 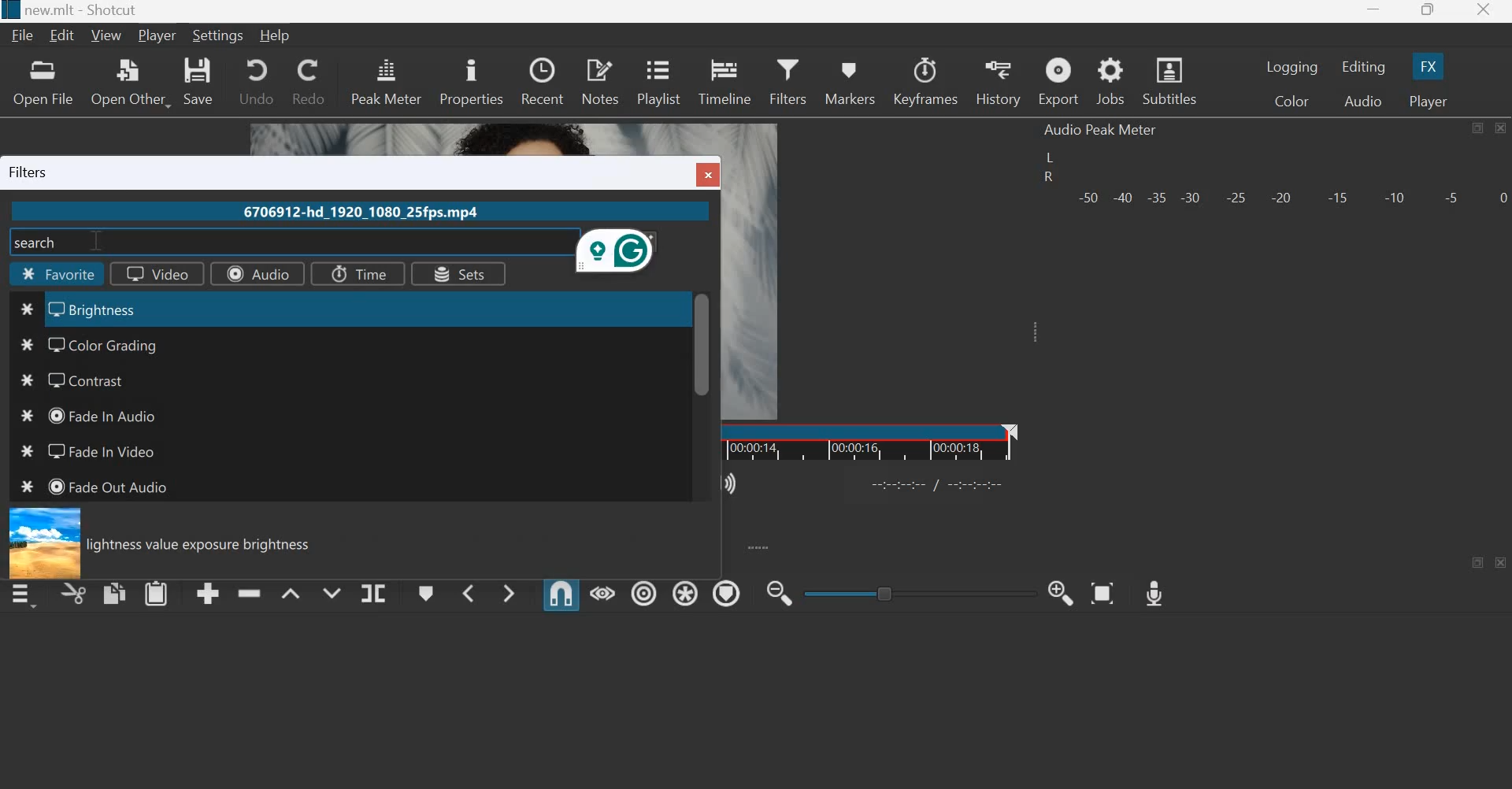 I want to click on close, so click(x=1482, y=12).